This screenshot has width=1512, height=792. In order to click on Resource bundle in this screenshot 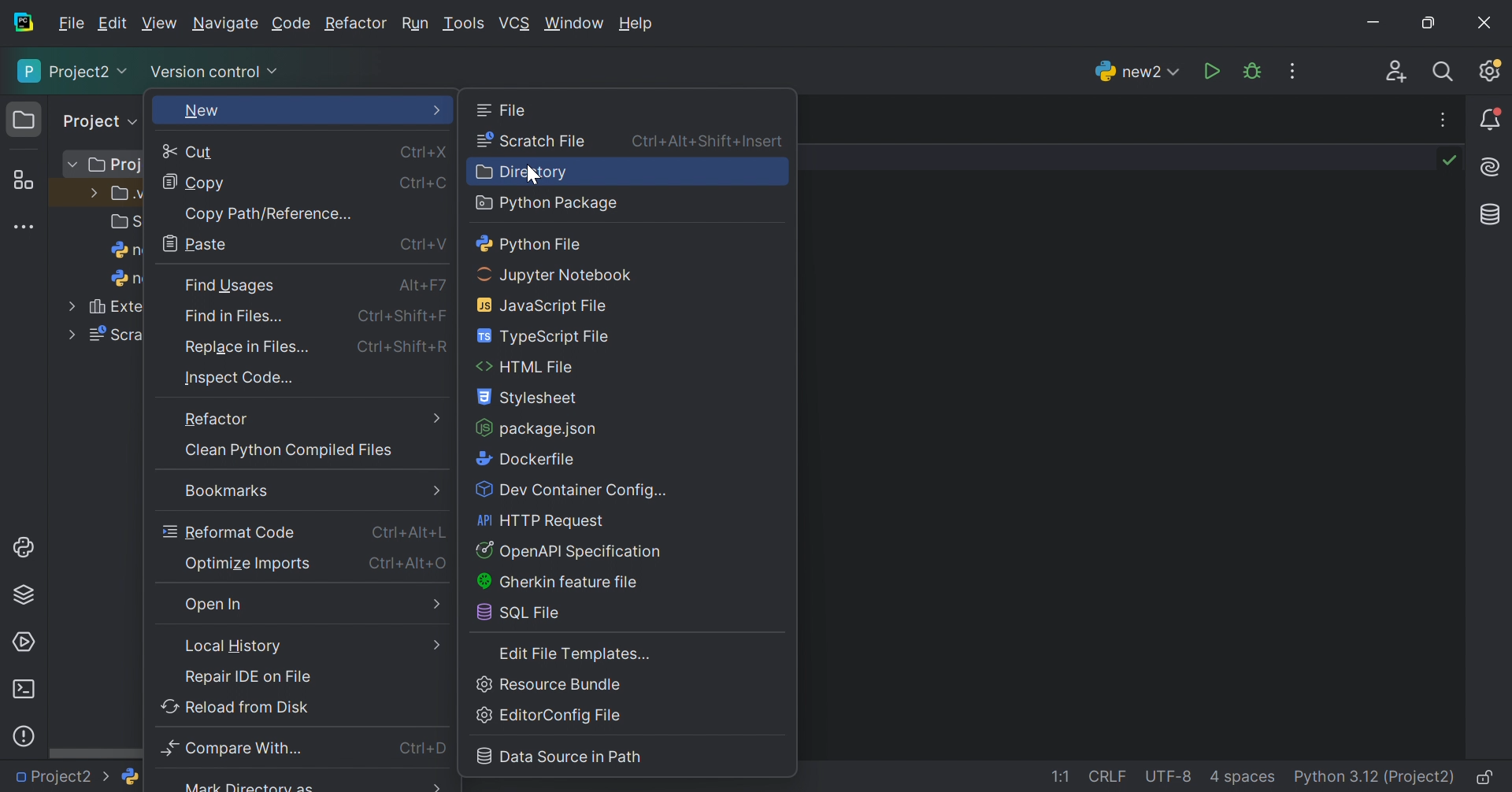, I will do `click(547, 683)`.